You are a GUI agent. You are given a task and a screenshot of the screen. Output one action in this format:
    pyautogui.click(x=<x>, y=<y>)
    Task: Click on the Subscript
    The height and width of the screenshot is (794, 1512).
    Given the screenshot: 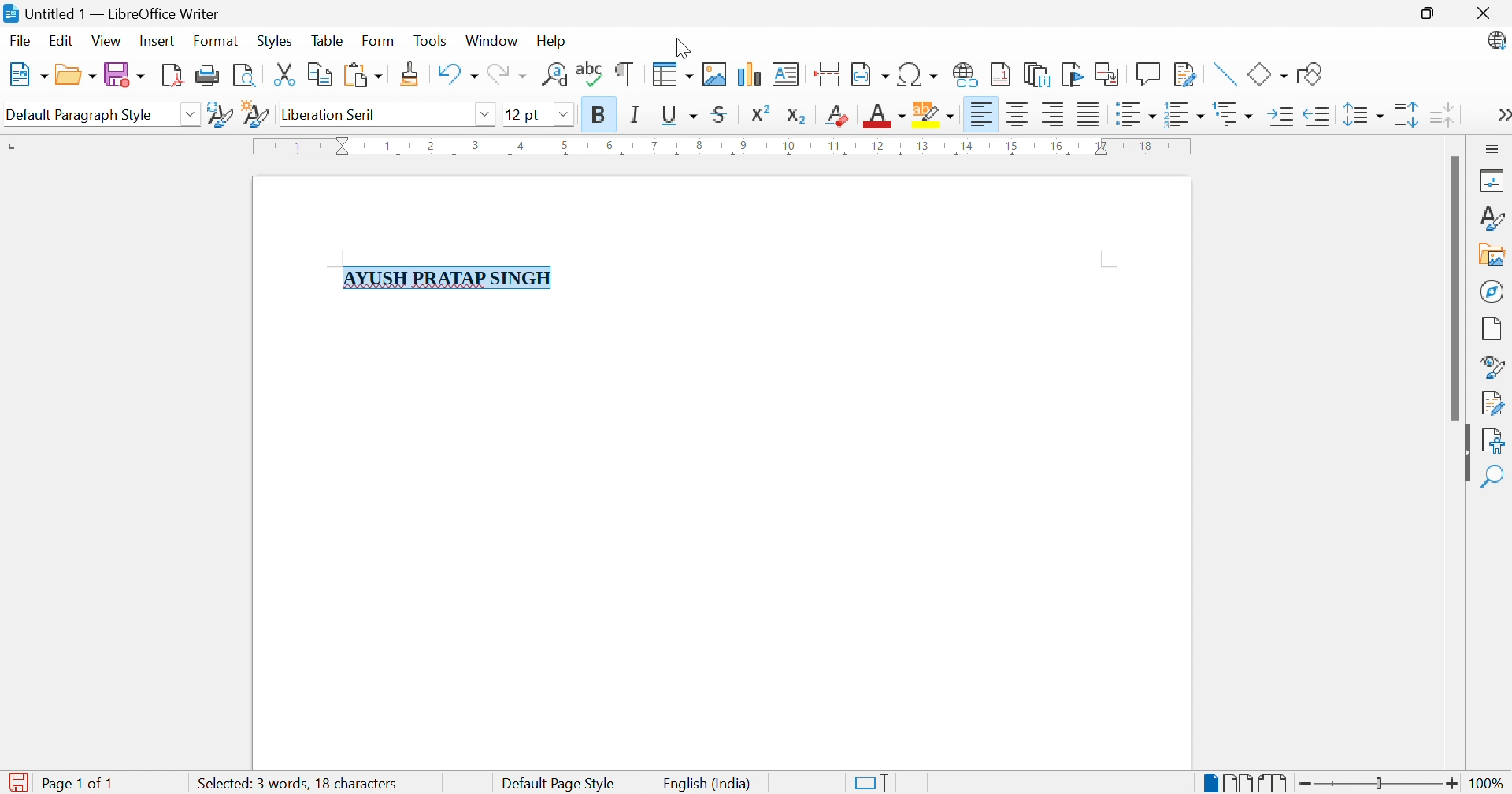 What is the action you would take?
    pyautogui.click(x=797, y=116)
    